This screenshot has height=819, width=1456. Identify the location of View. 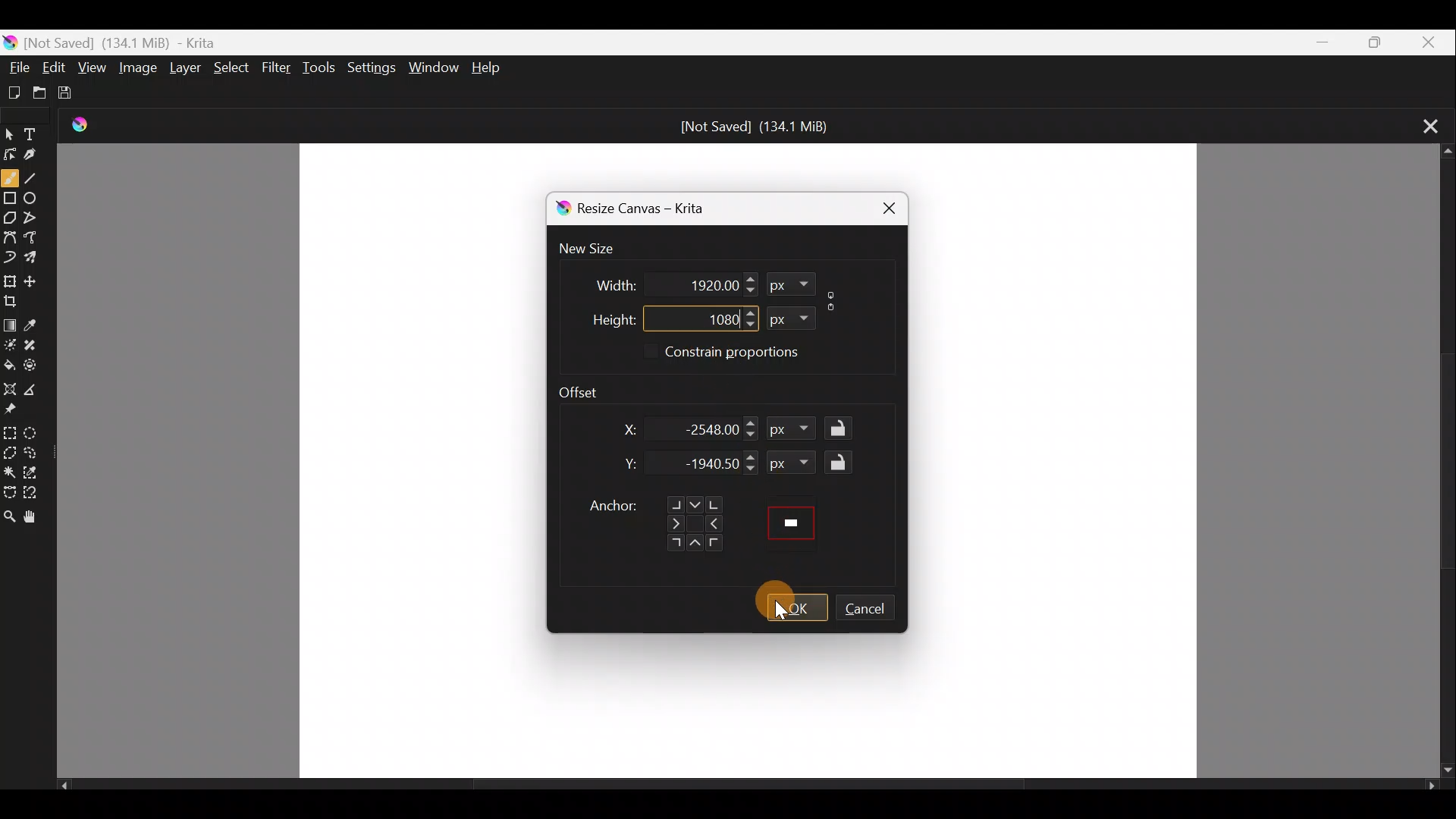
(93, 67).